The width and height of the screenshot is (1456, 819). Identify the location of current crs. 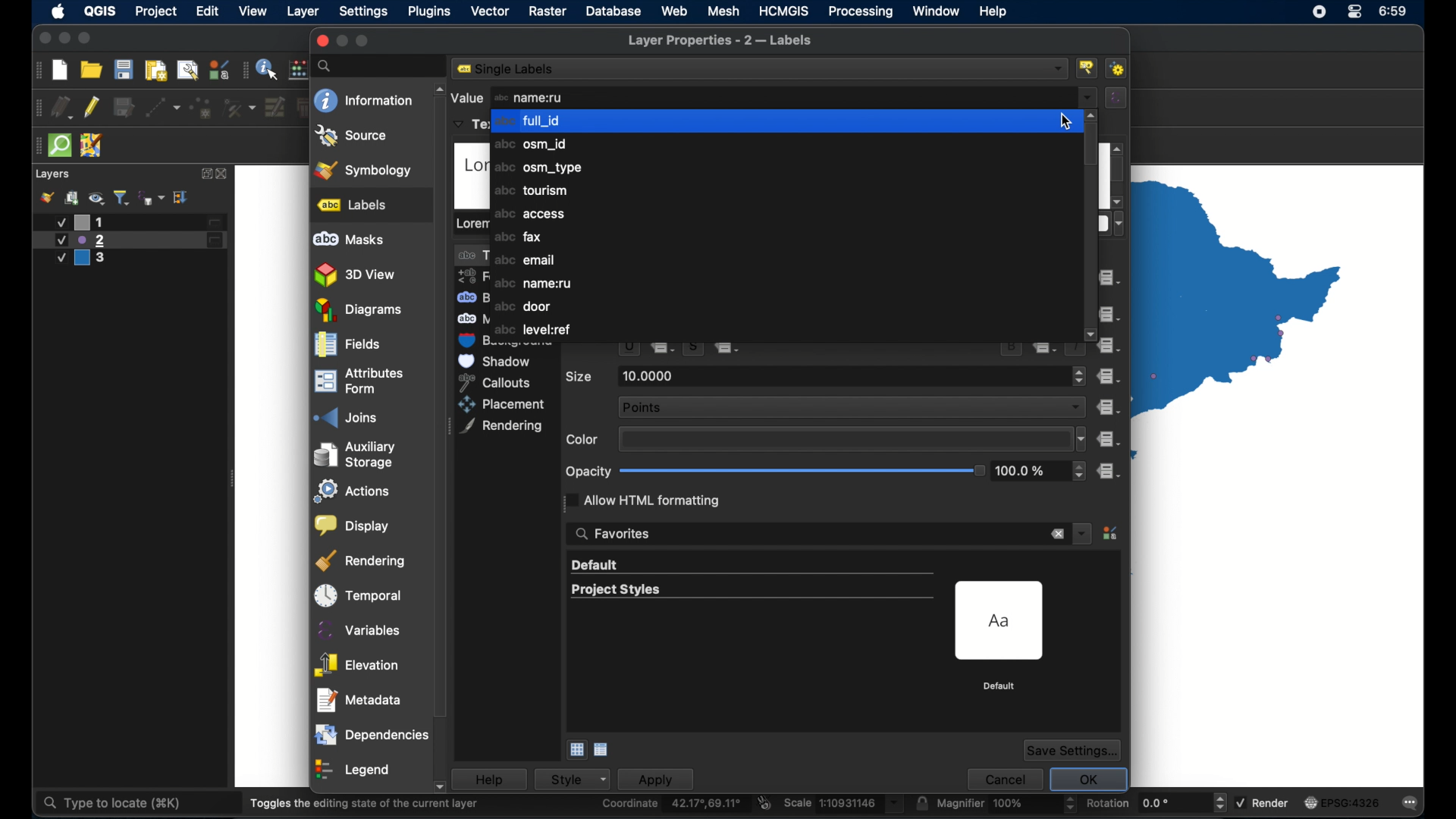
(1343, 802).